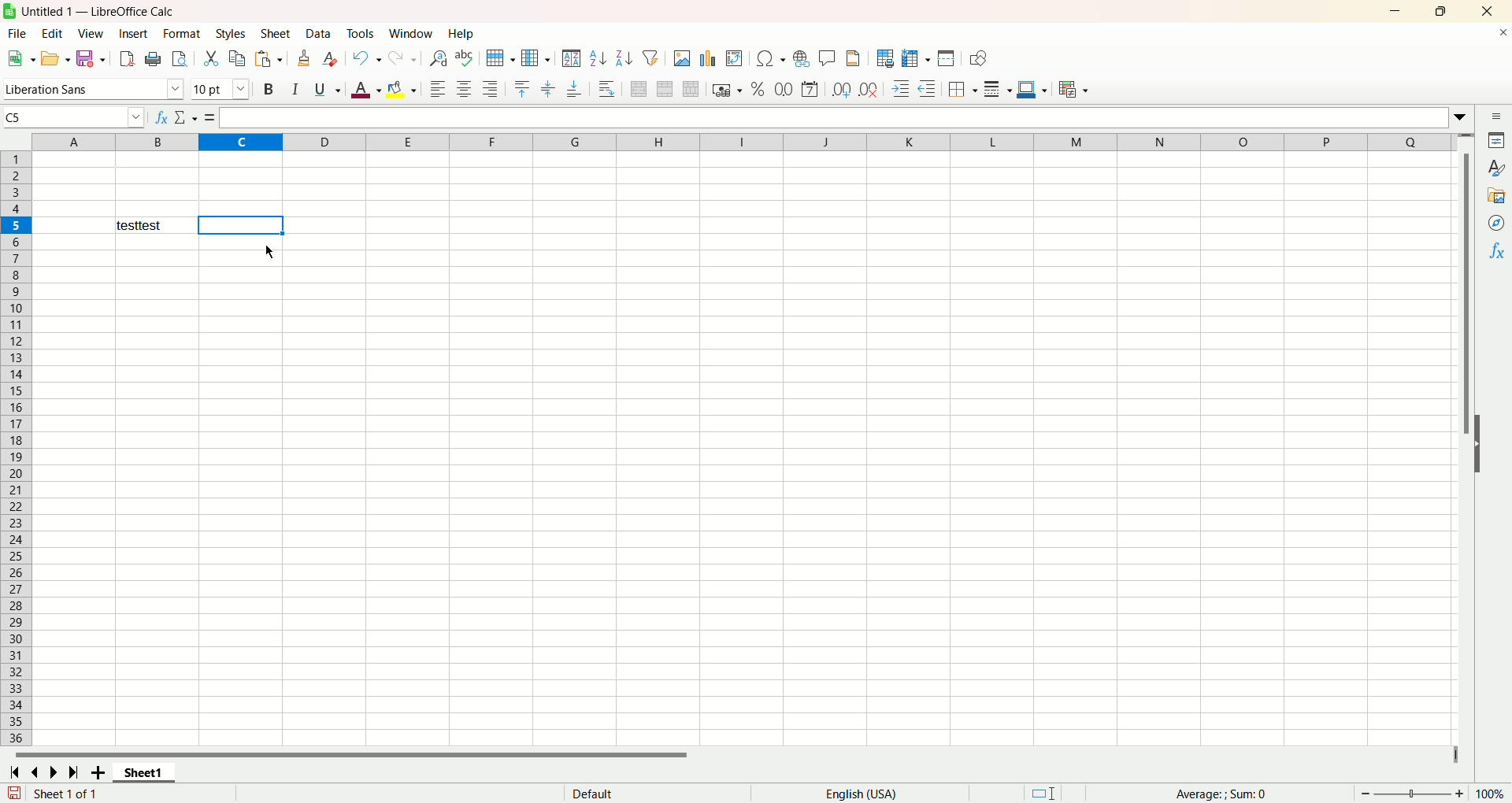 Image resolution: width=1512 pixels, height=803 pixels. What do you see at coordinates (1495, 253) in the screenshot?
I see `function` at bounding box center [1495, 253].